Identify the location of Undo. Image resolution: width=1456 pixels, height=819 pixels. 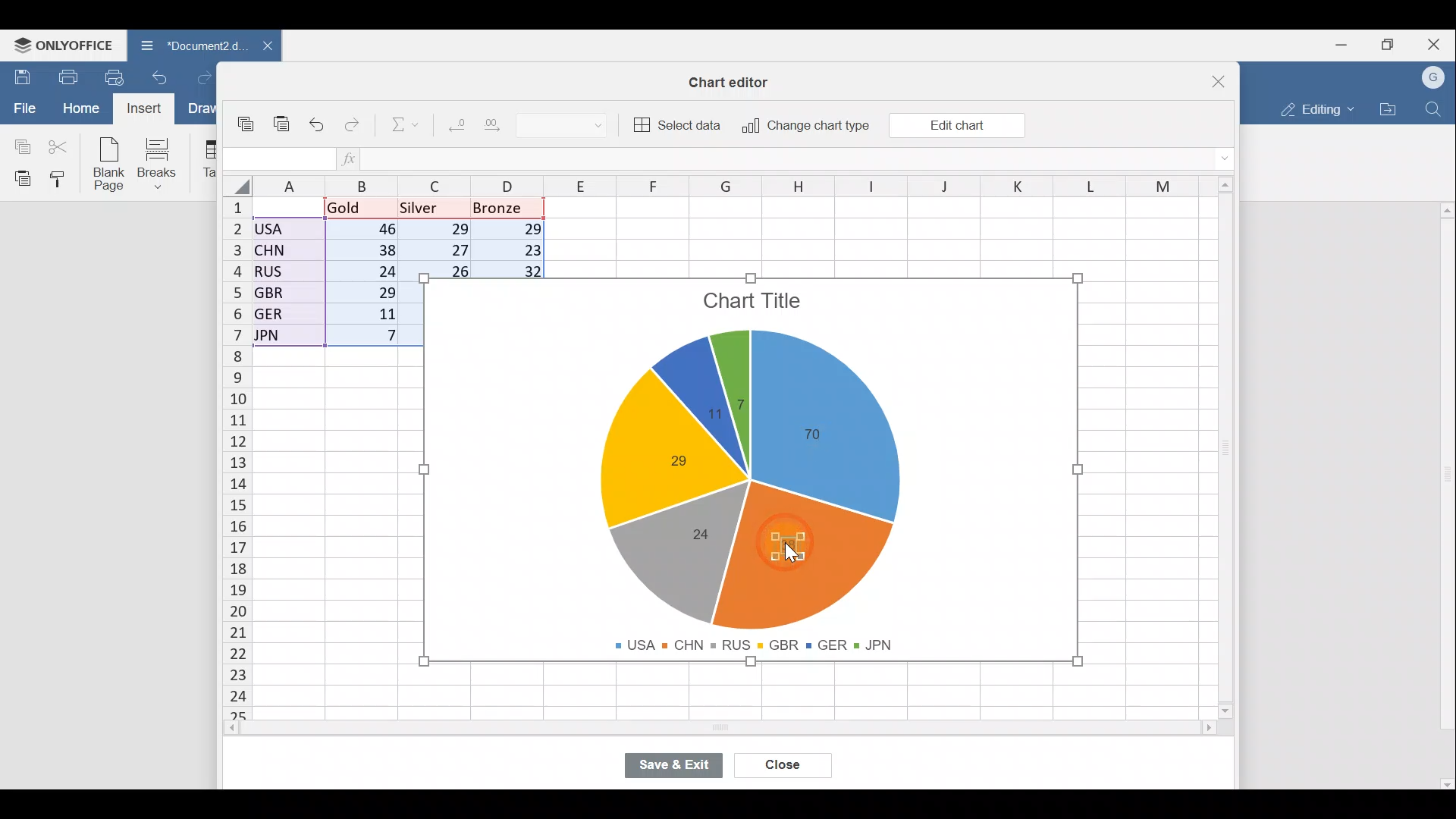
(320, 126).